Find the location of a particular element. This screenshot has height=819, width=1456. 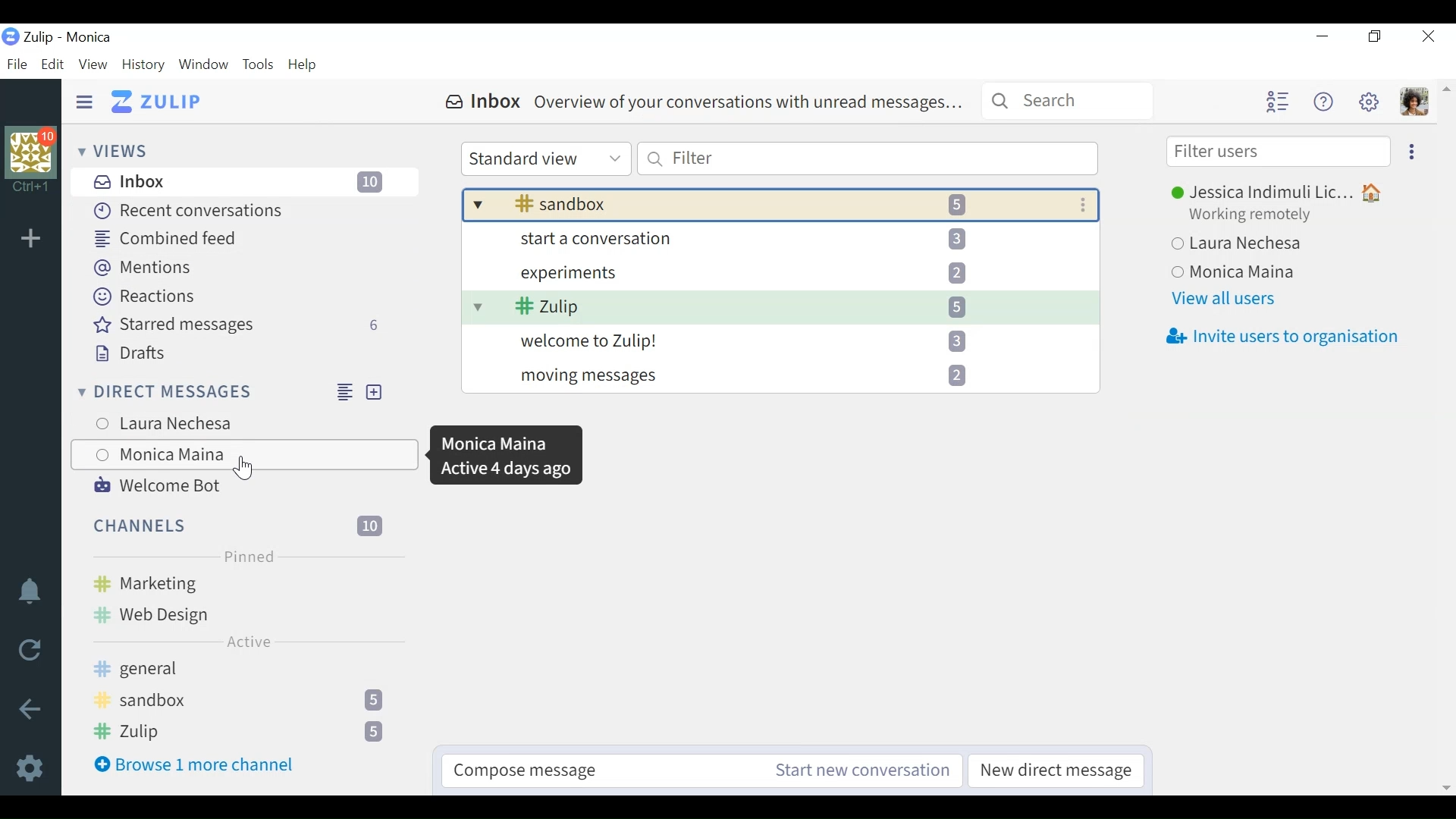

Monica Maina is located at coordinates (242, 454).